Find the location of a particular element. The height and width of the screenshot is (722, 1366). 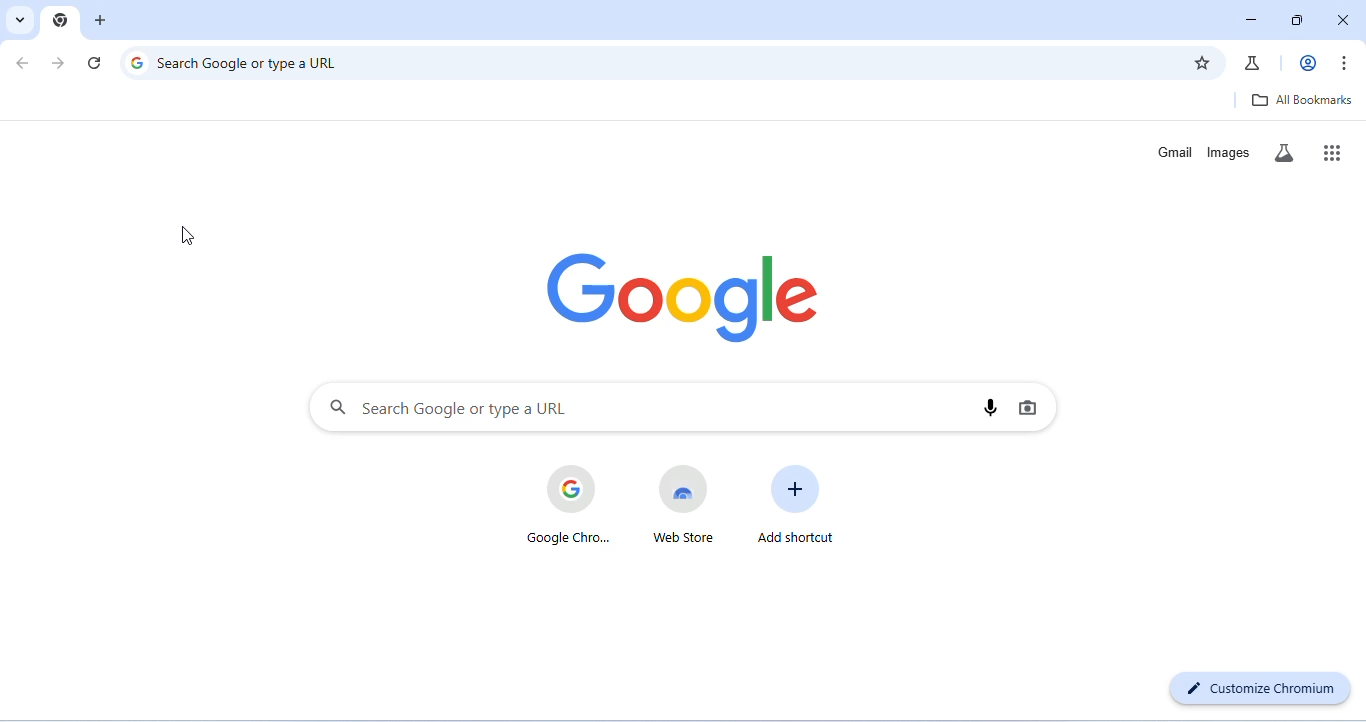

google logo is located at coordinates (692, 294).